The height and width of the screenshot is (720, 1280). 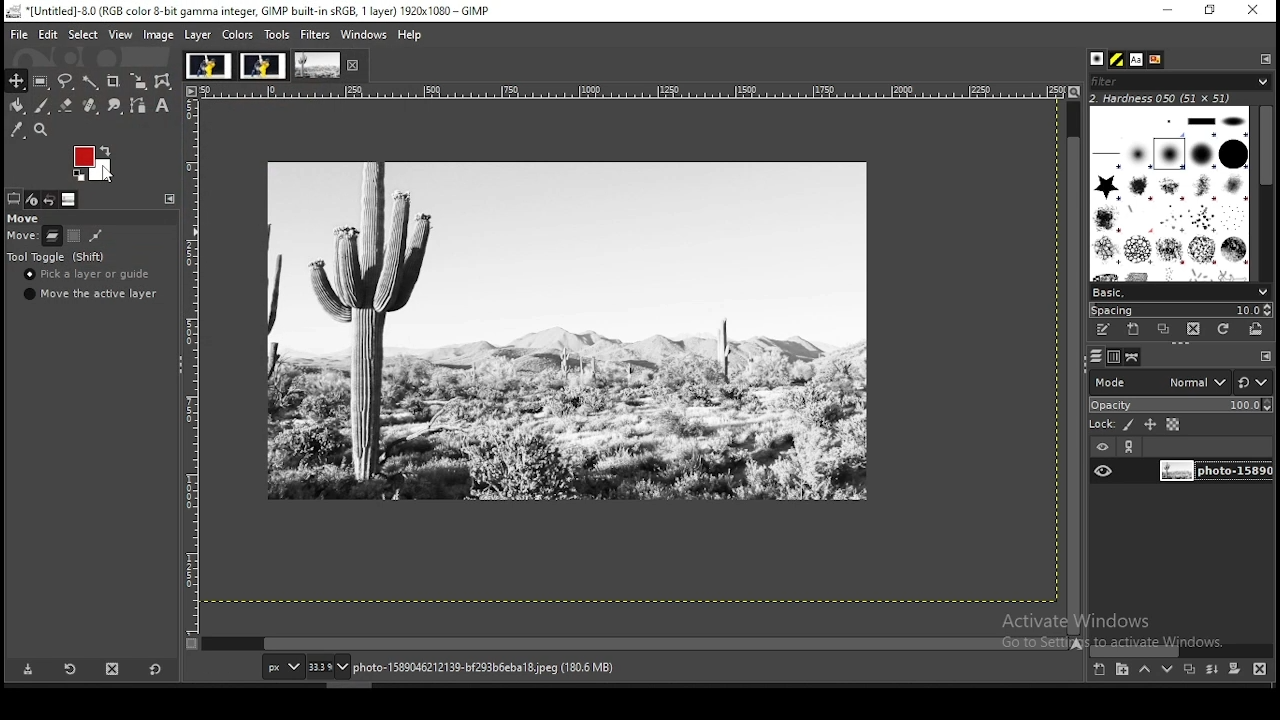 I want to click on color picker tool, so click(x=17, y=130).